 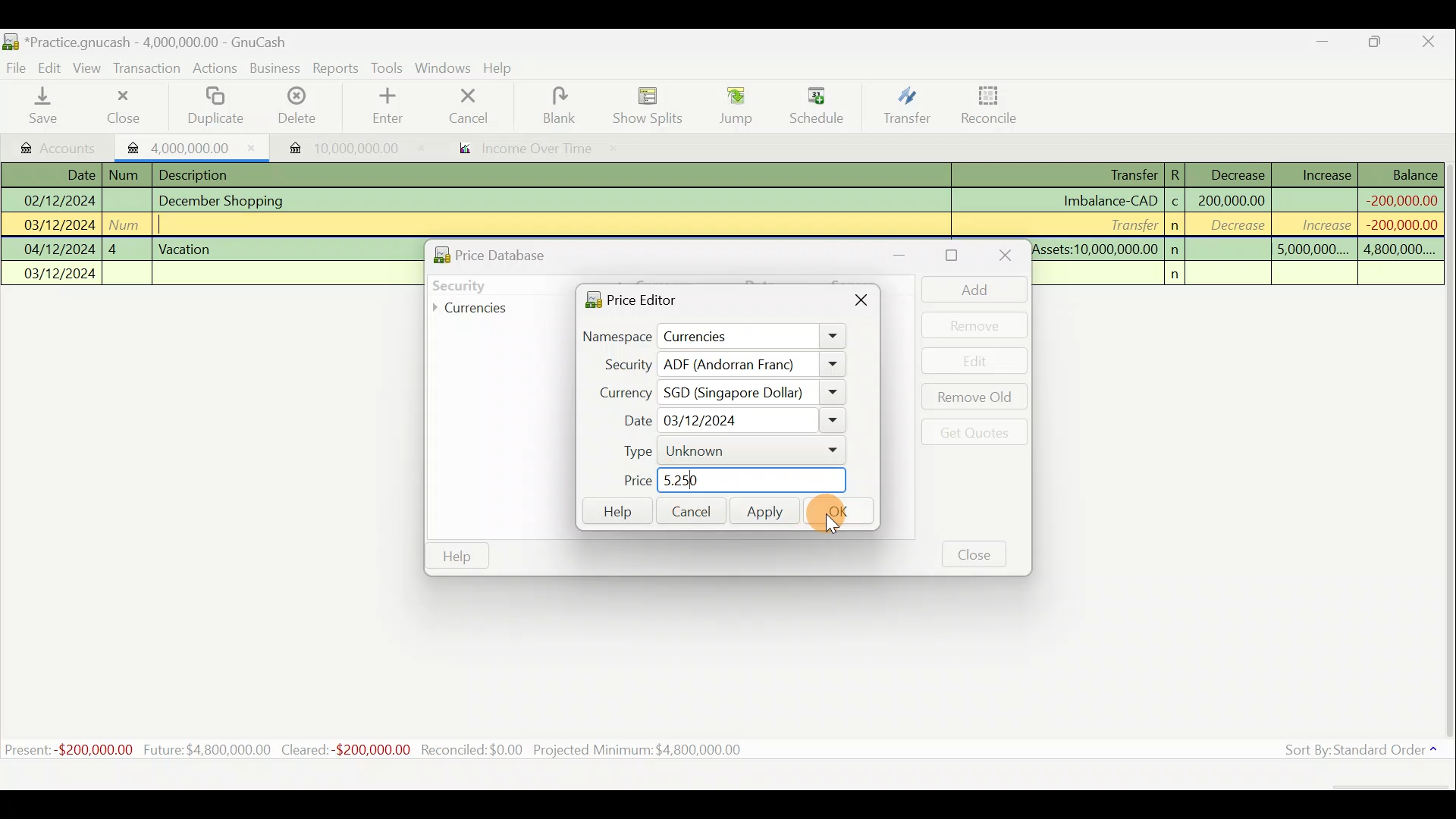 I want to click on Get quotes, so click(x=971, y=431).